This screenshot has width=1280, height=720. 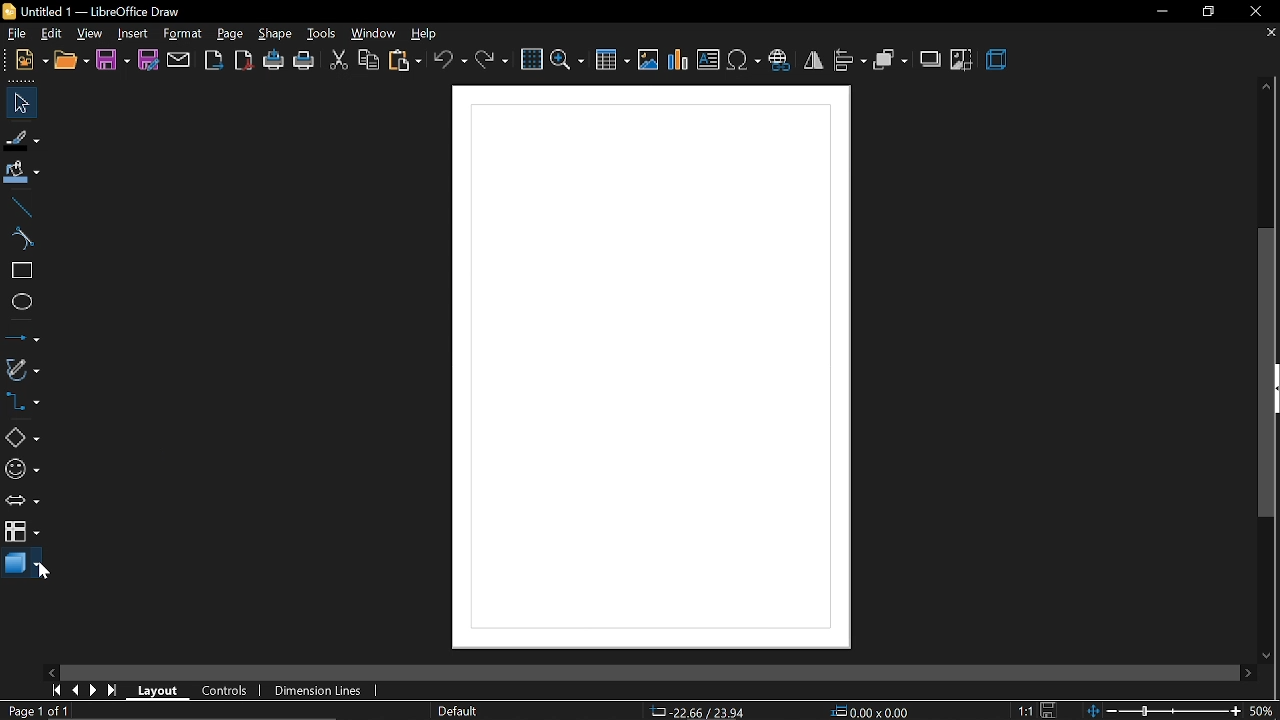 What do you see at coordinates (77, 690) in the screenshot?
I see `previous page` at bounding box center [77, 690].